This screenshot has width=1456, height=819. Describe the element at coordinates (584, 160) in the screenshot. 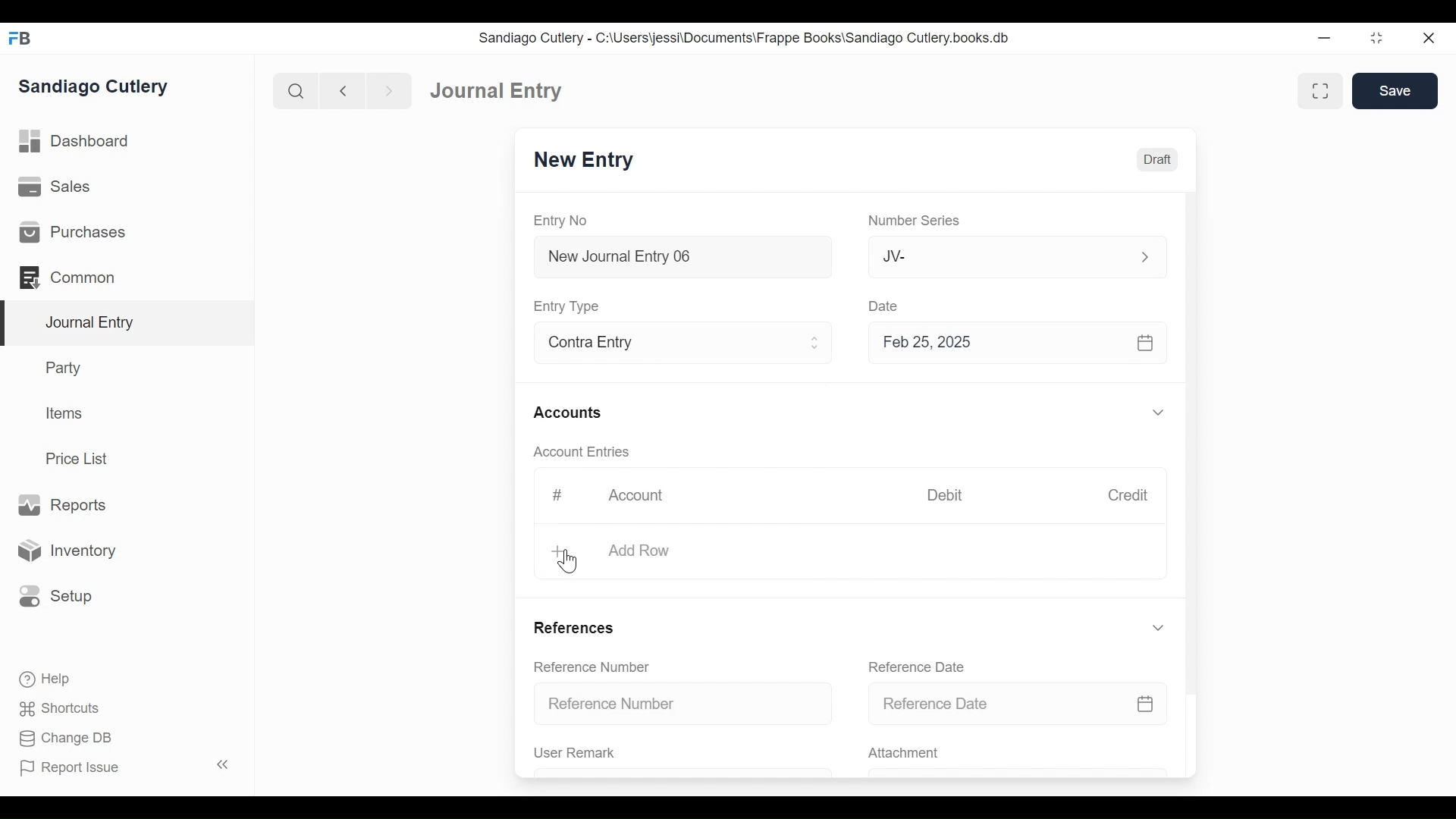

I see `New Entry` at that location.